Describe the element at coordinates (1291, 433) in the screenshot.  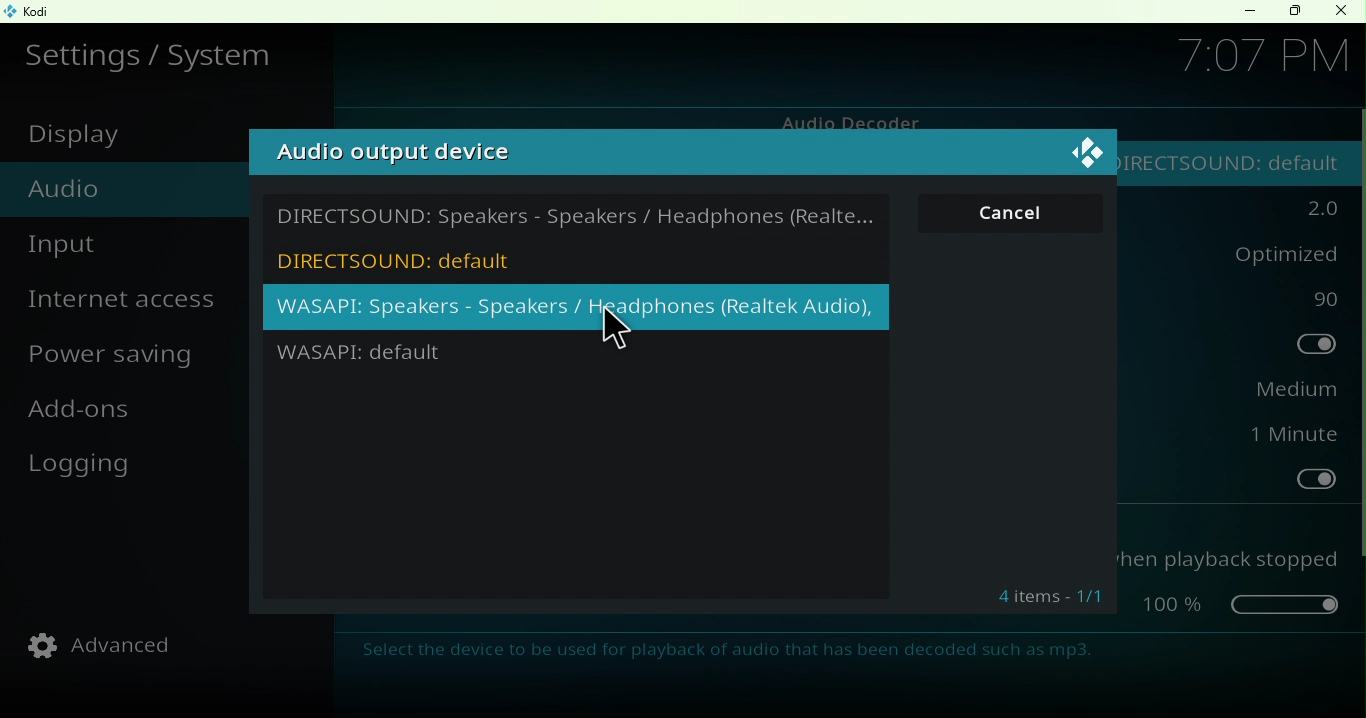
I see `1 minut` at that location.